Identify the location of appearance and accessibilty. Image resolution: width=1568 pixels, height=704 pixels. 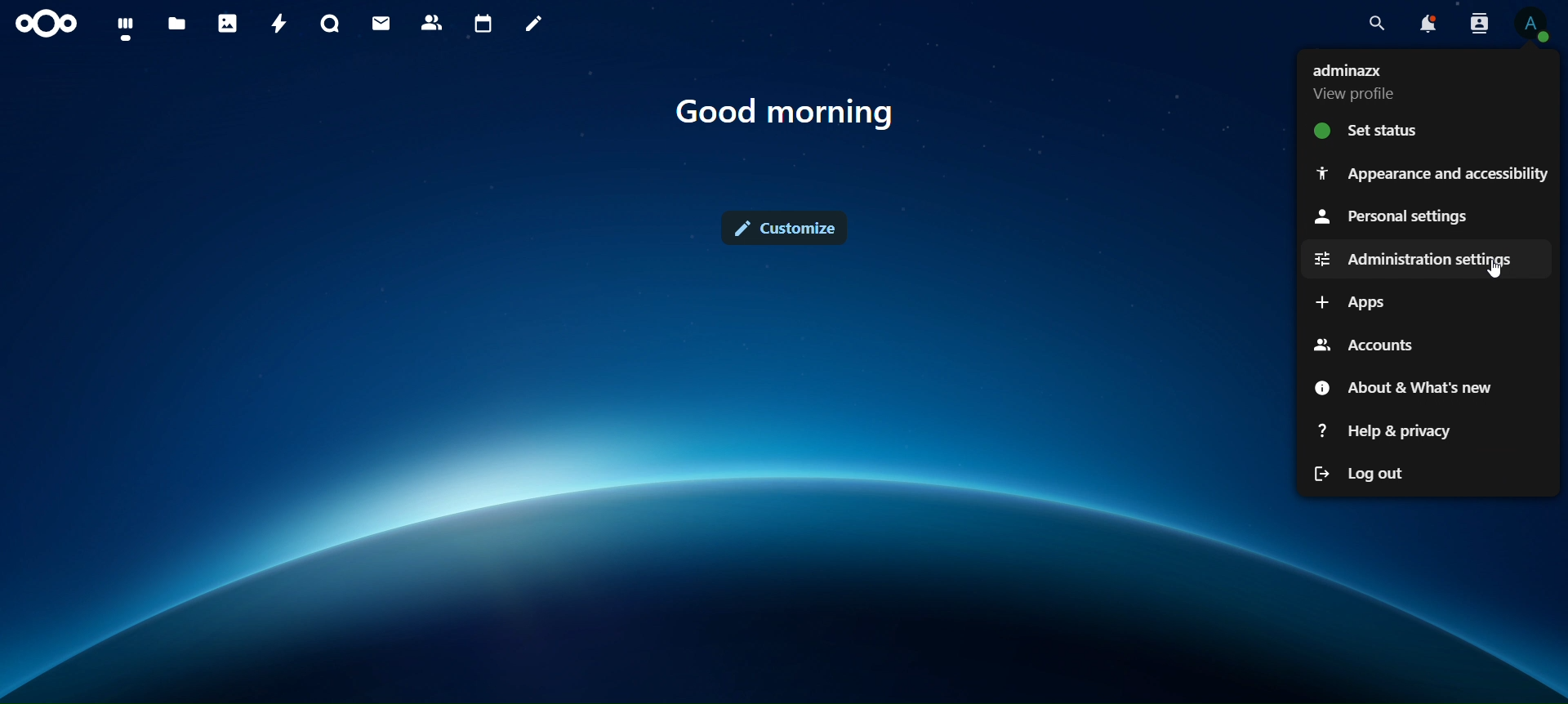
(1430, 176).